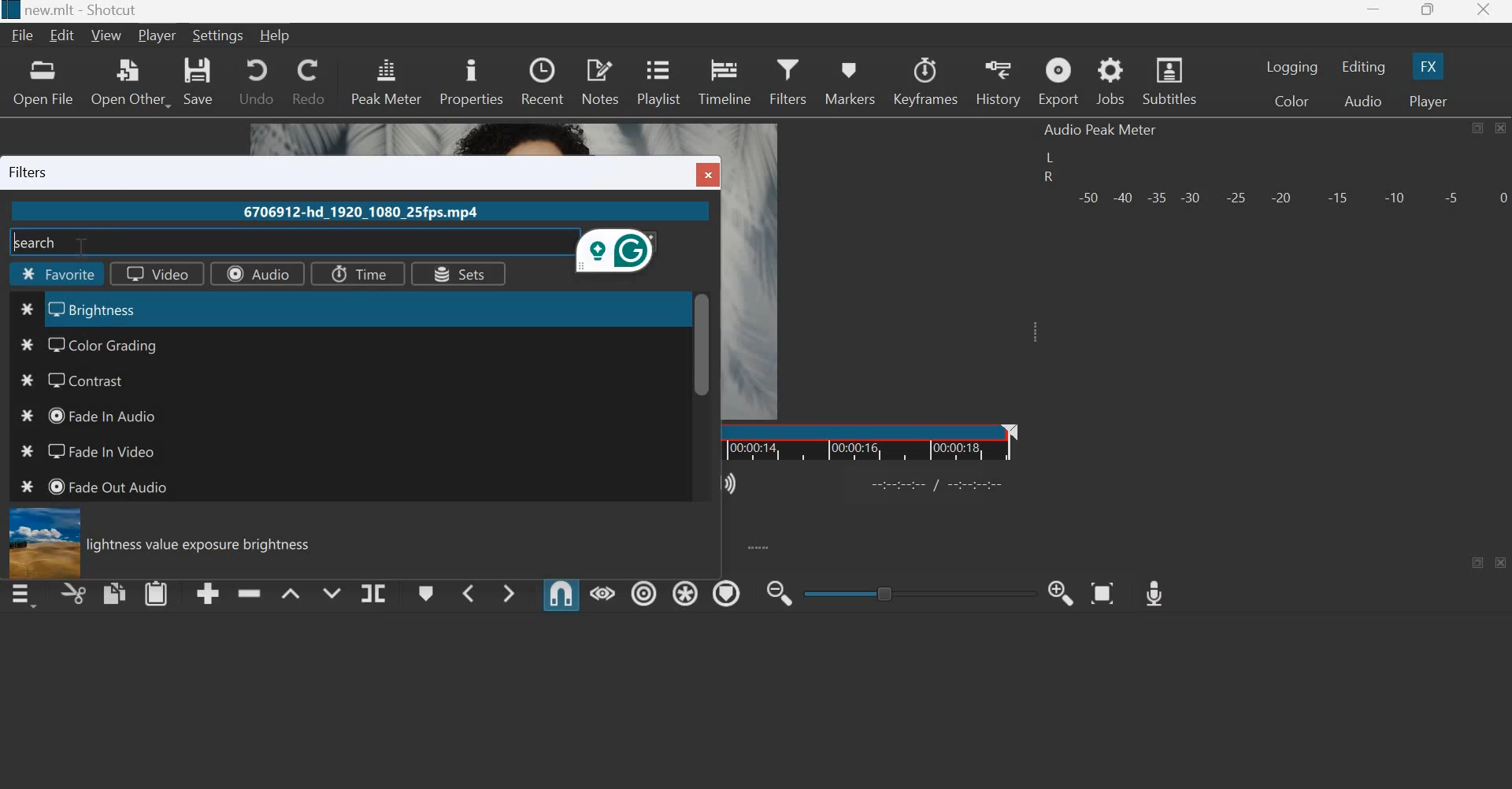 The height and width of the screenshot is (789, 1512). What do you see at coordinates (250, 591) in the screenshot?
I see `ripple delete` at bounding box center [250, 591].